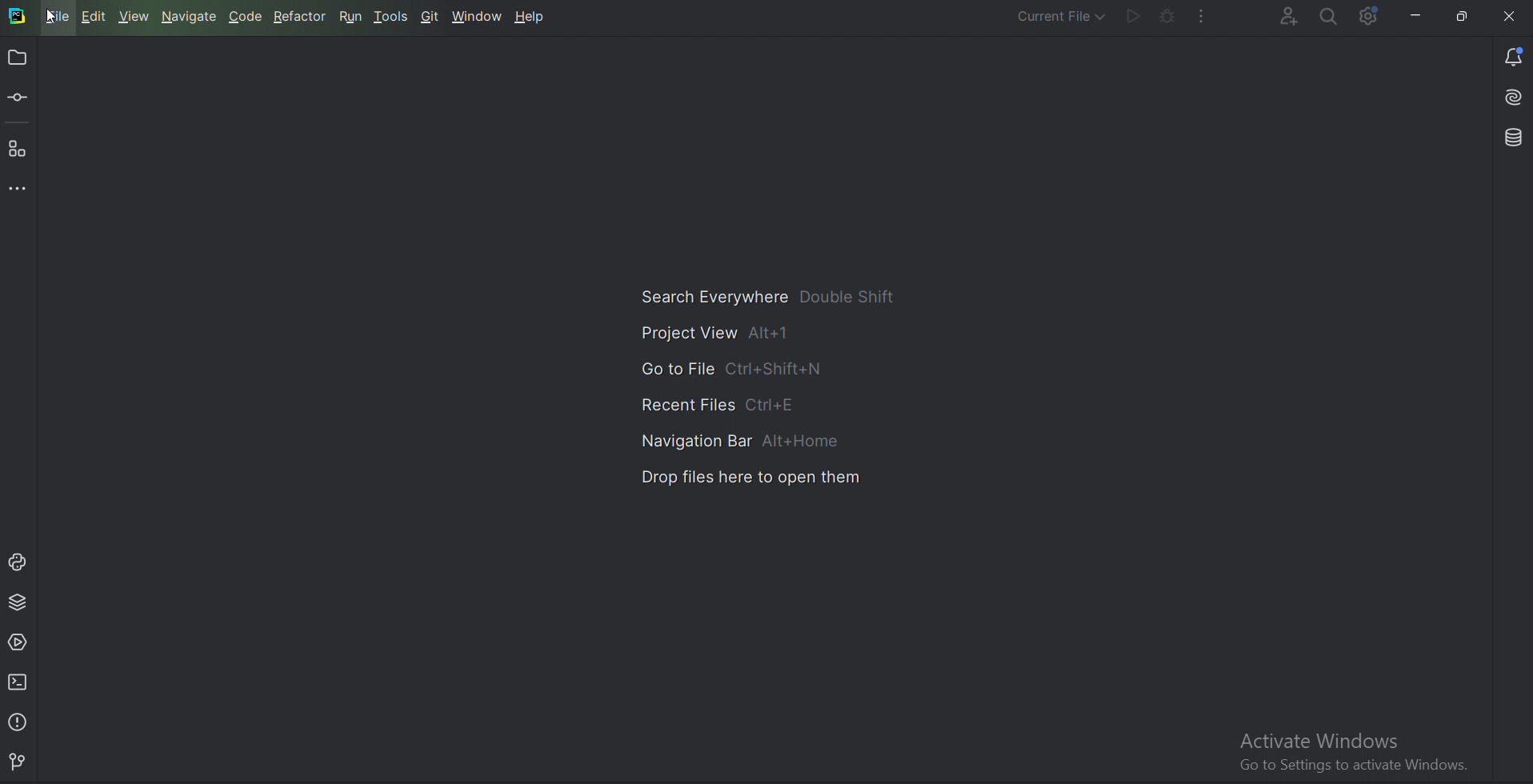 The height and width of the screenshot is (784, 1533). I want to click on More Actions, so click(1206, 16).